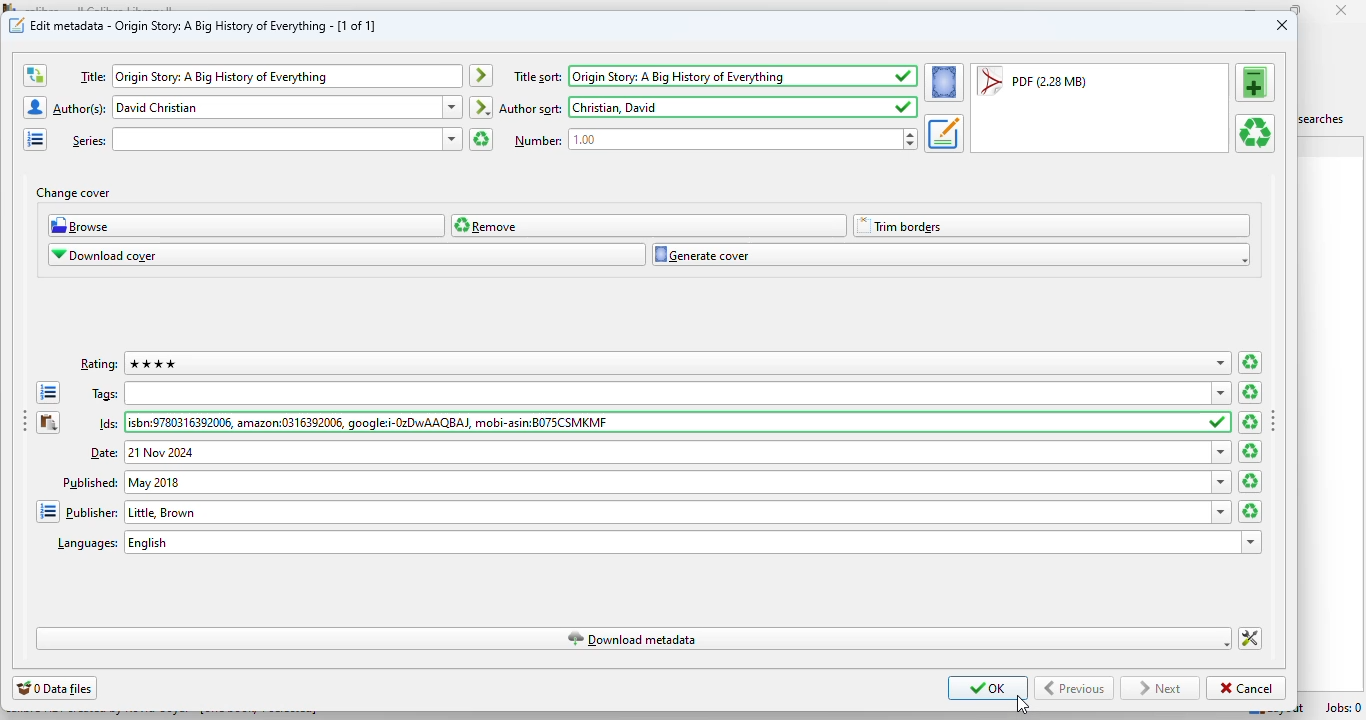 The height and width of the screenshot is (720, 1366). I want to click on text, so click(92, 513).